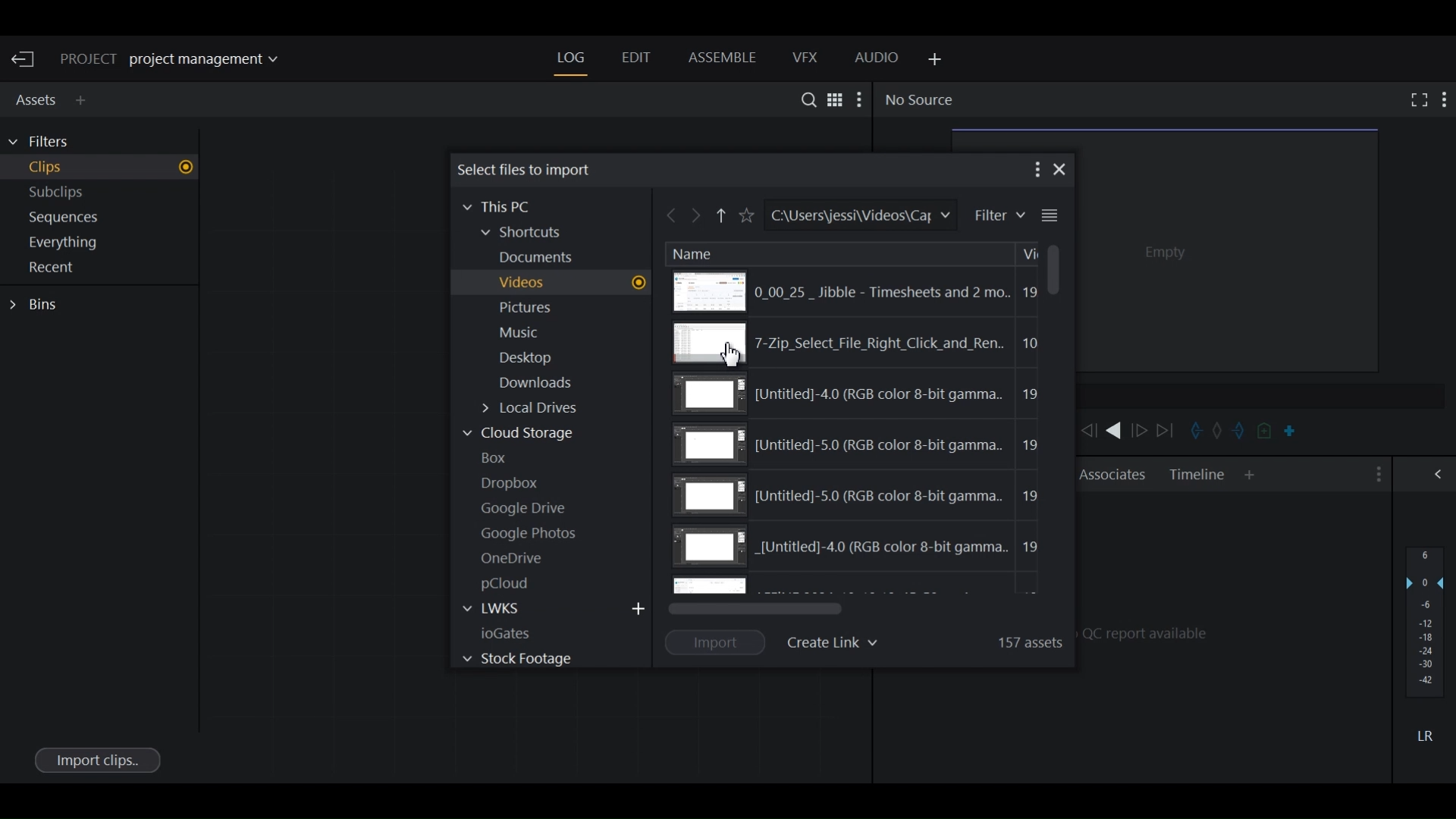 The width and height of the screenshot is (1456, 819). Describe the element at coordinates (722, 58) in the screenshot. I see `Assemble` at that location.